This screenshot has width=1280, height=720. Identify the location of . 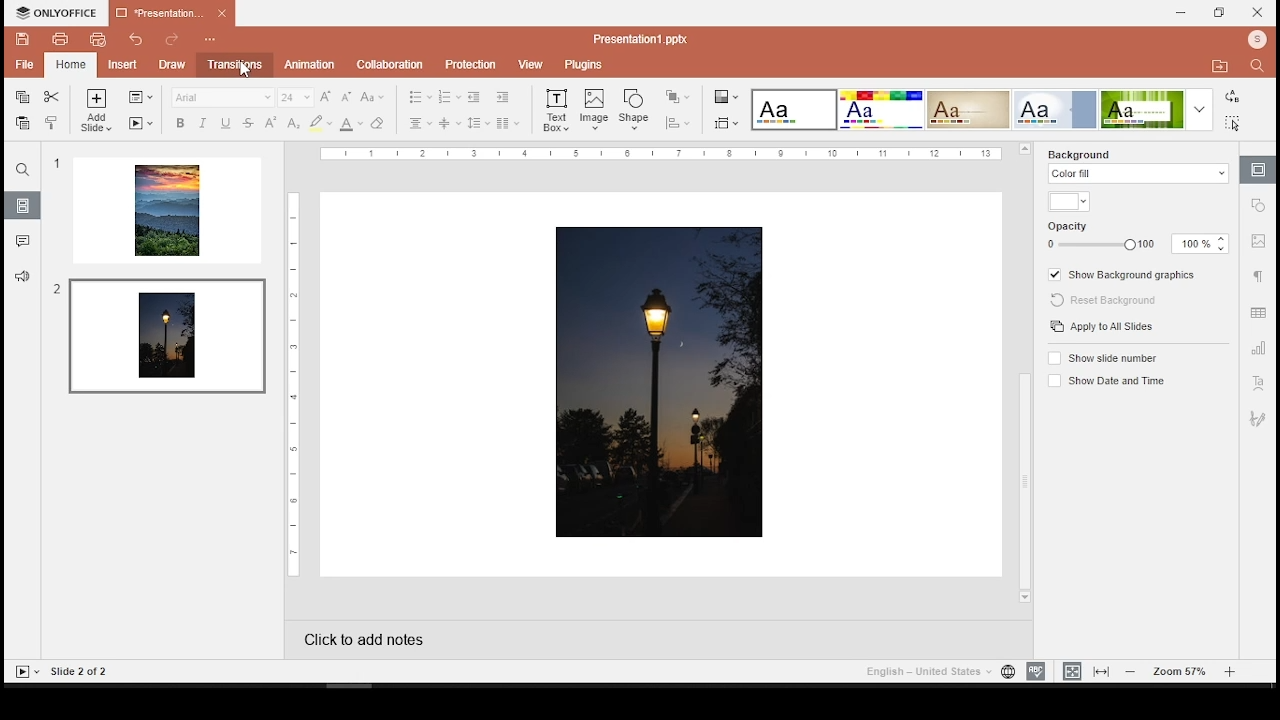
(1259, 421).